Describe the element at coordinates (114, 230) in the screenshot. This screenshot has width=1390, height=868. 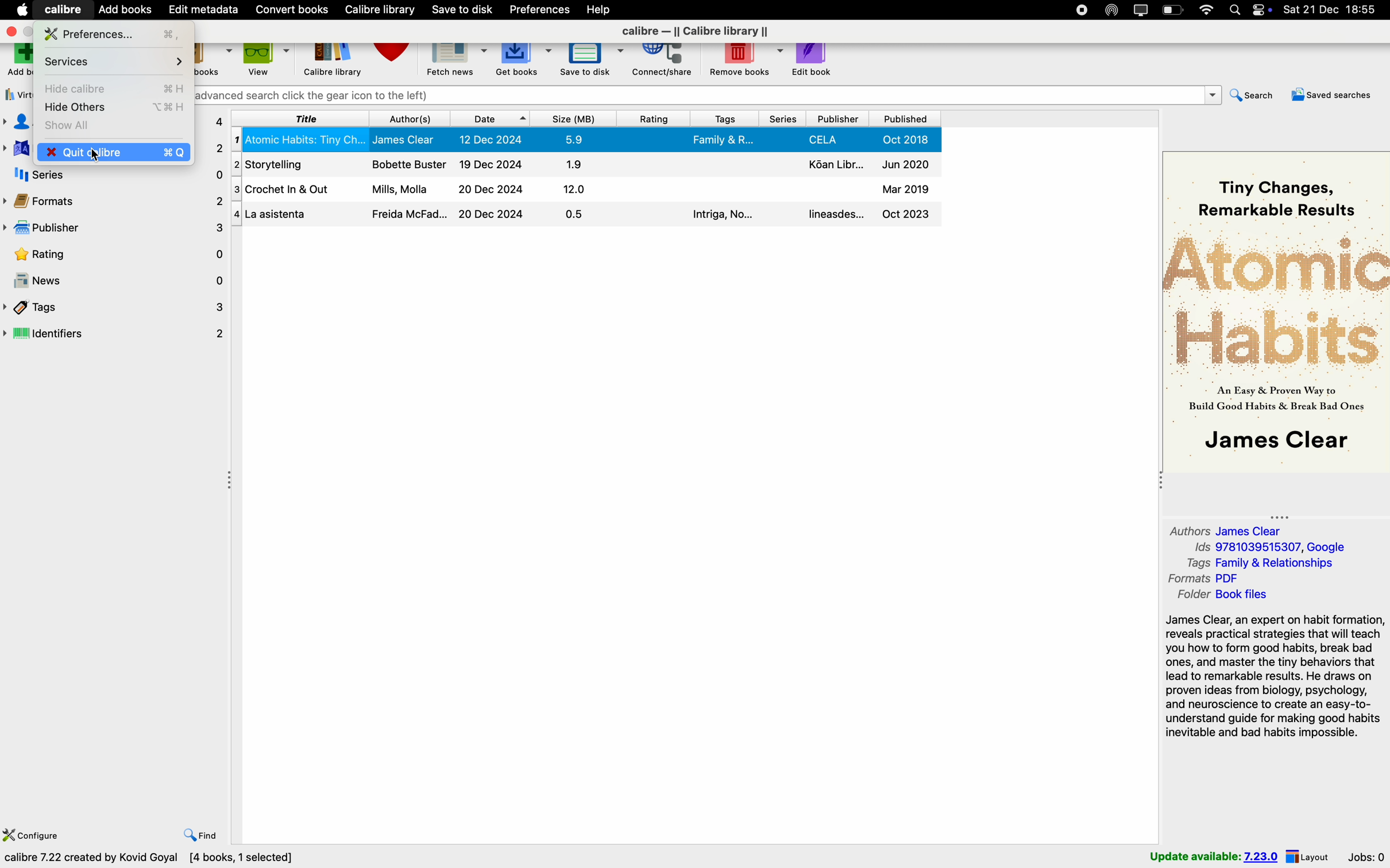
I see `publisher` at that location.